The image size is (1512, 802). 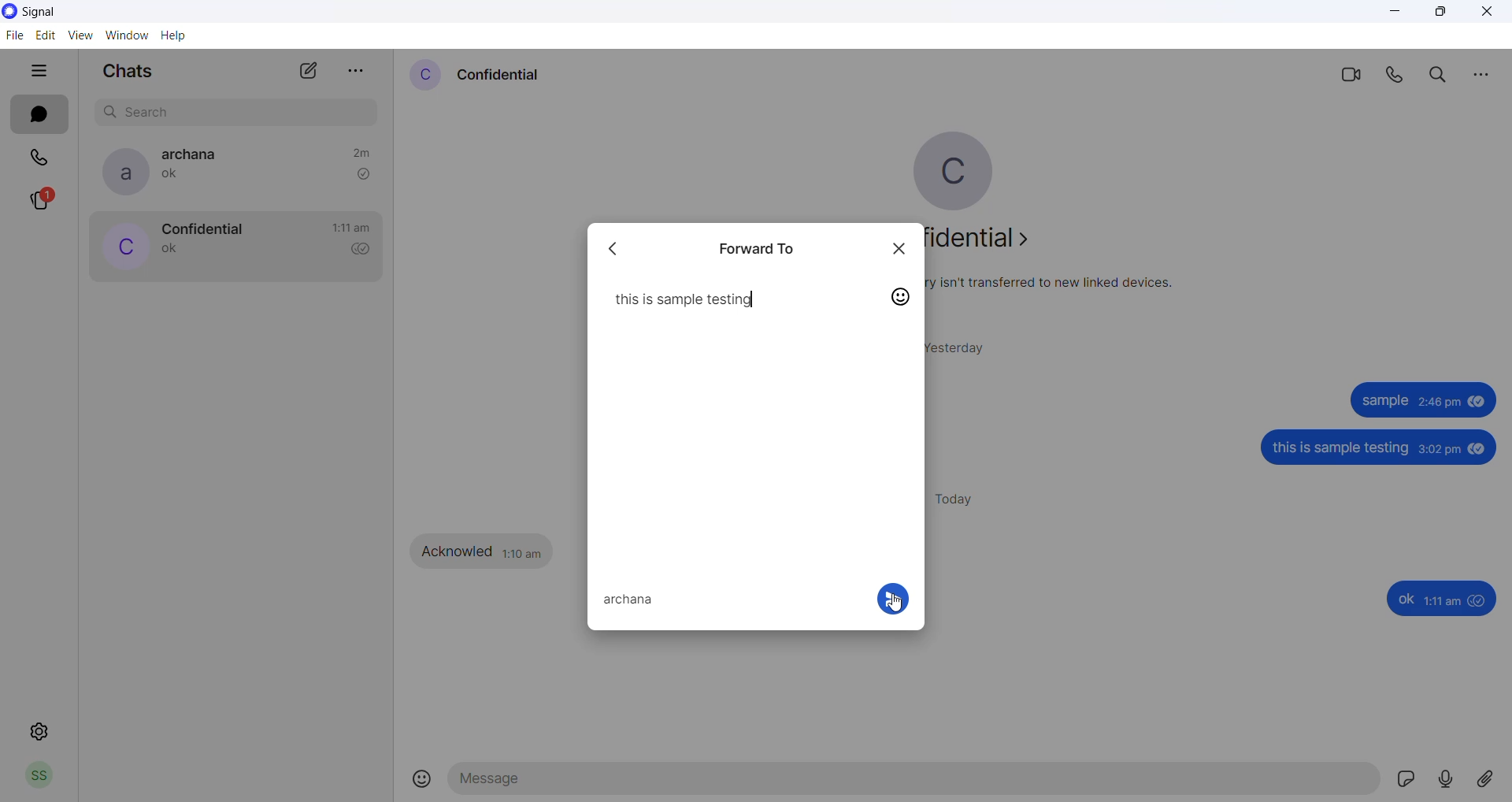 I want to click on contact name, so click(x=500, y=73).